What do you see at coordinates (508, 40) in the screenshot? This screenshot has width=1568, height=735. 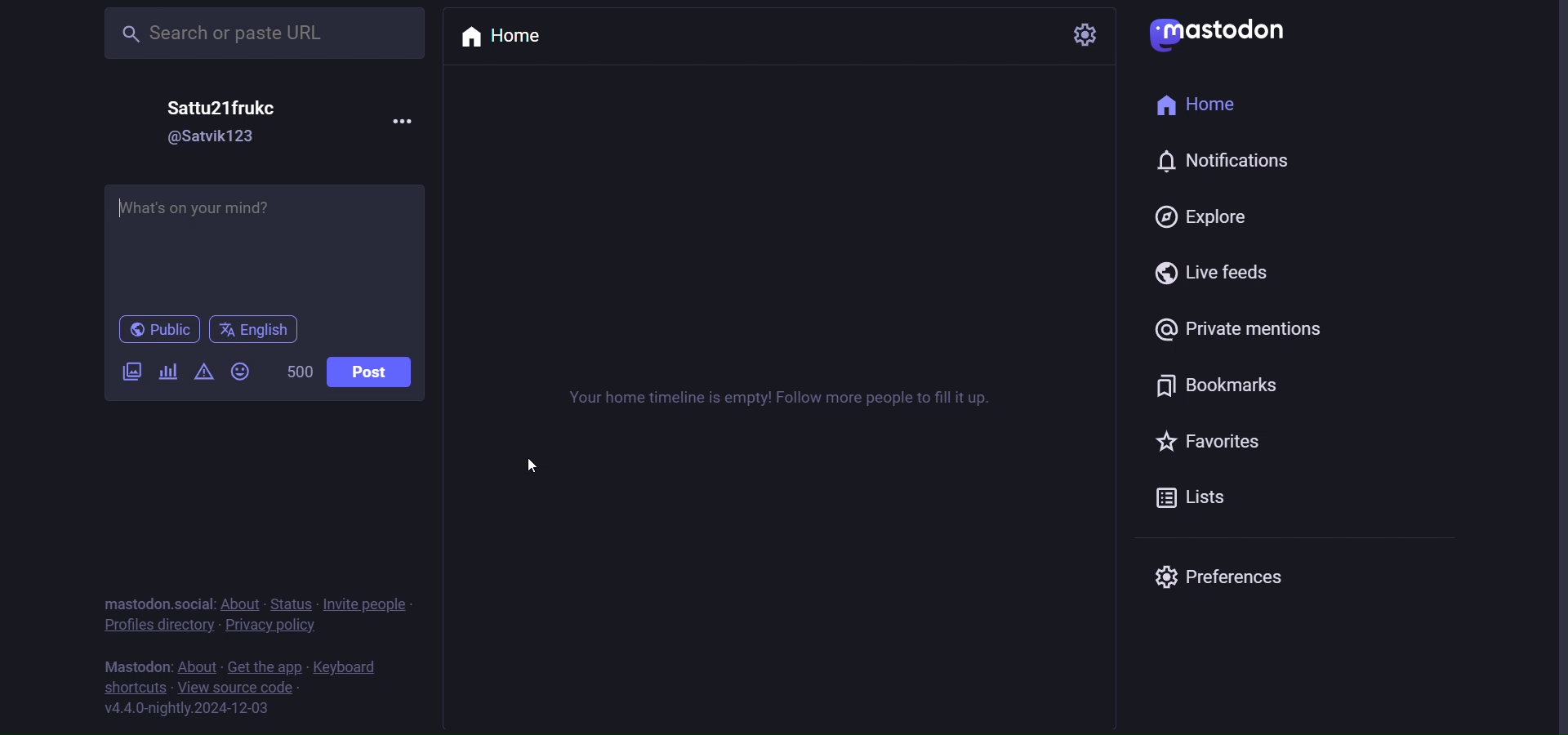 I see `home` at bounding box center [508, 40].